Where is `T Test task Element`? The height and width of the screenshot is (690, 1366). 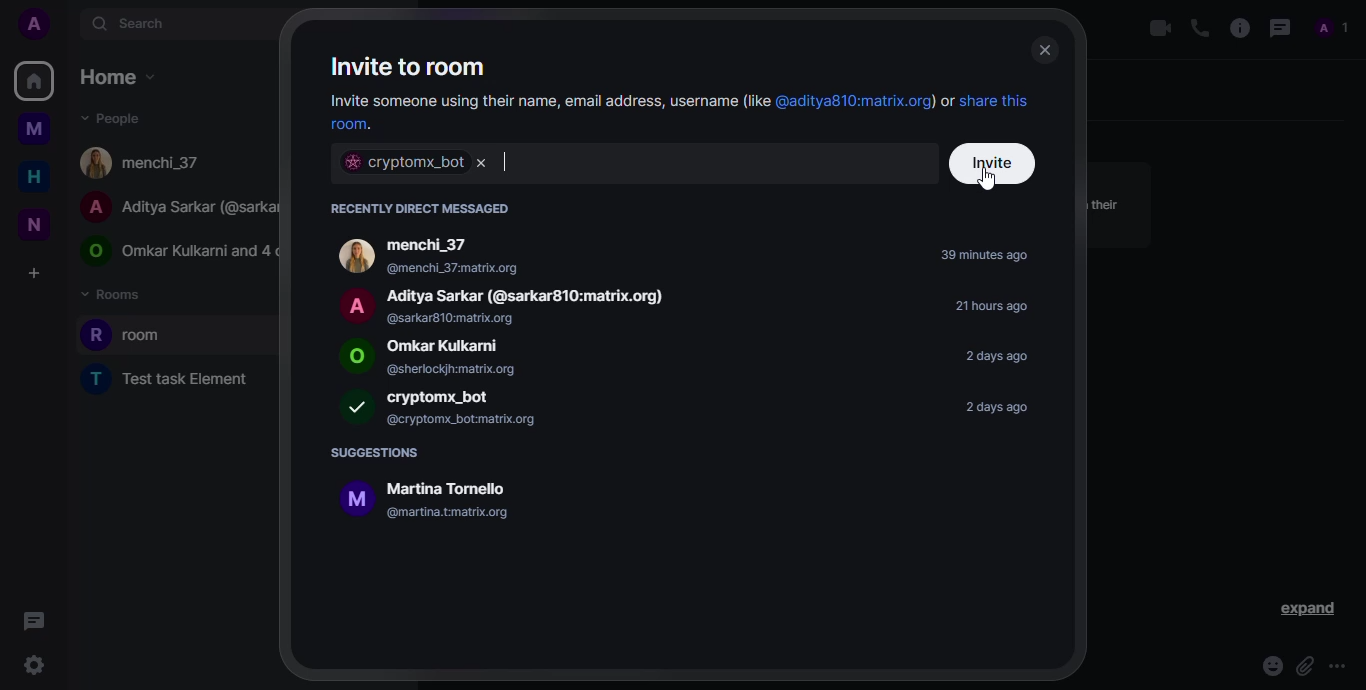 T Test task Element is located at coordinates (166, 381).